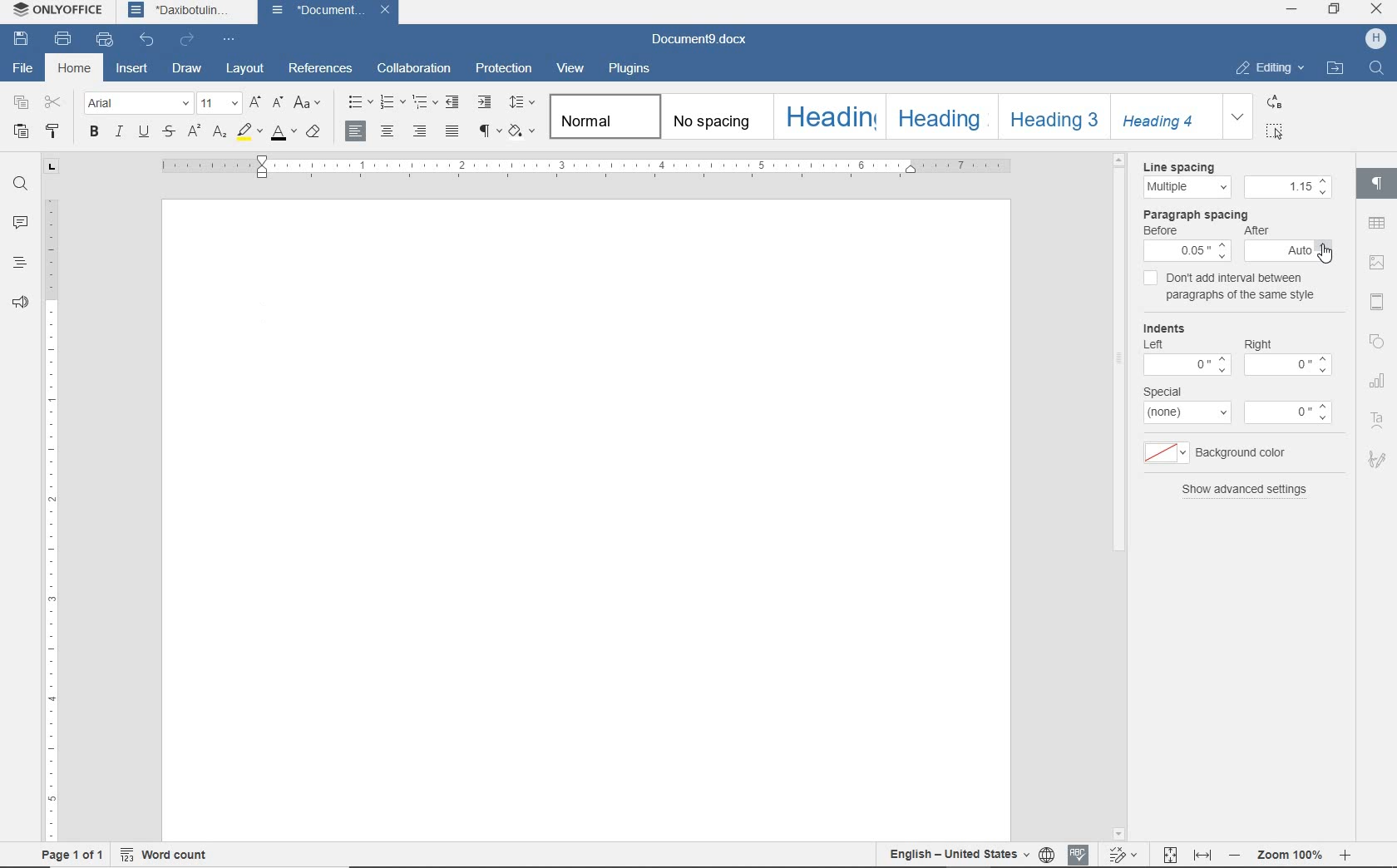  Describe the element at coordinates (587, 166) in the screenshot. I see `ruler` at that location.